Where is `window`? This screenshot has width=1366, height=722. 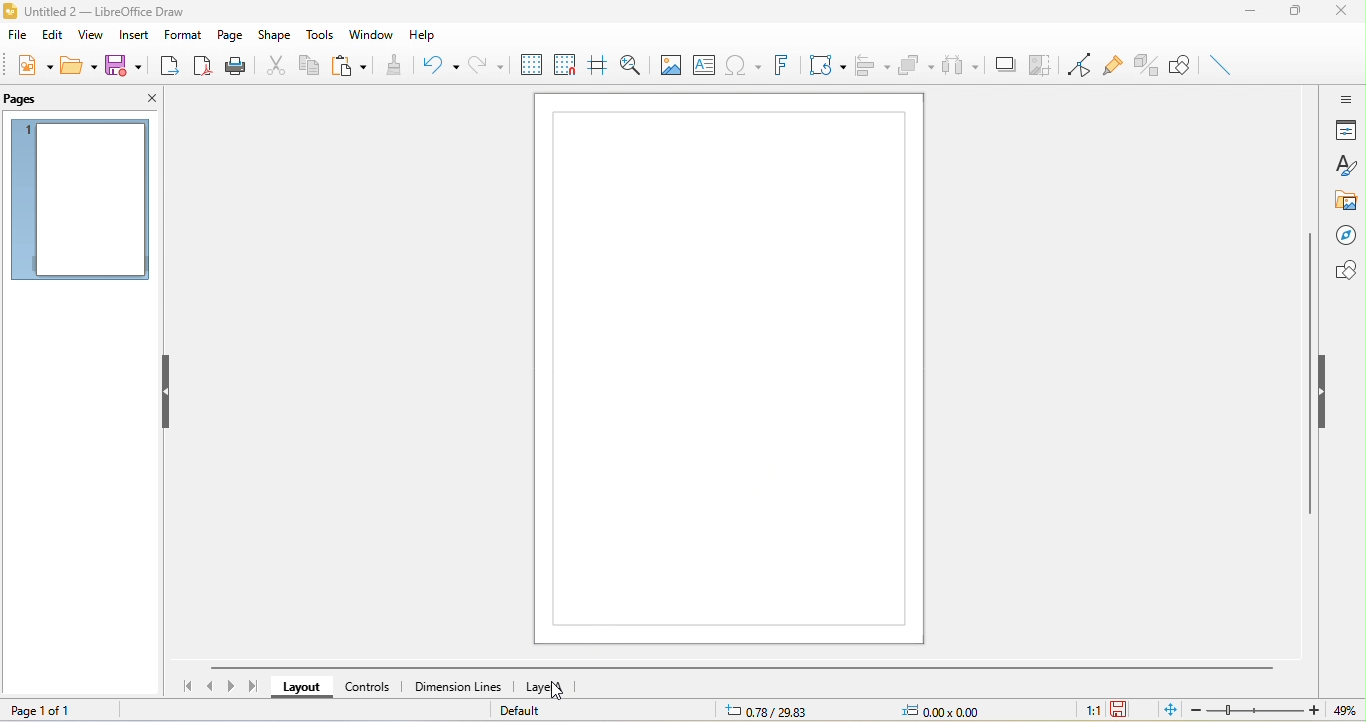
window is located at coordinates (373, 34).